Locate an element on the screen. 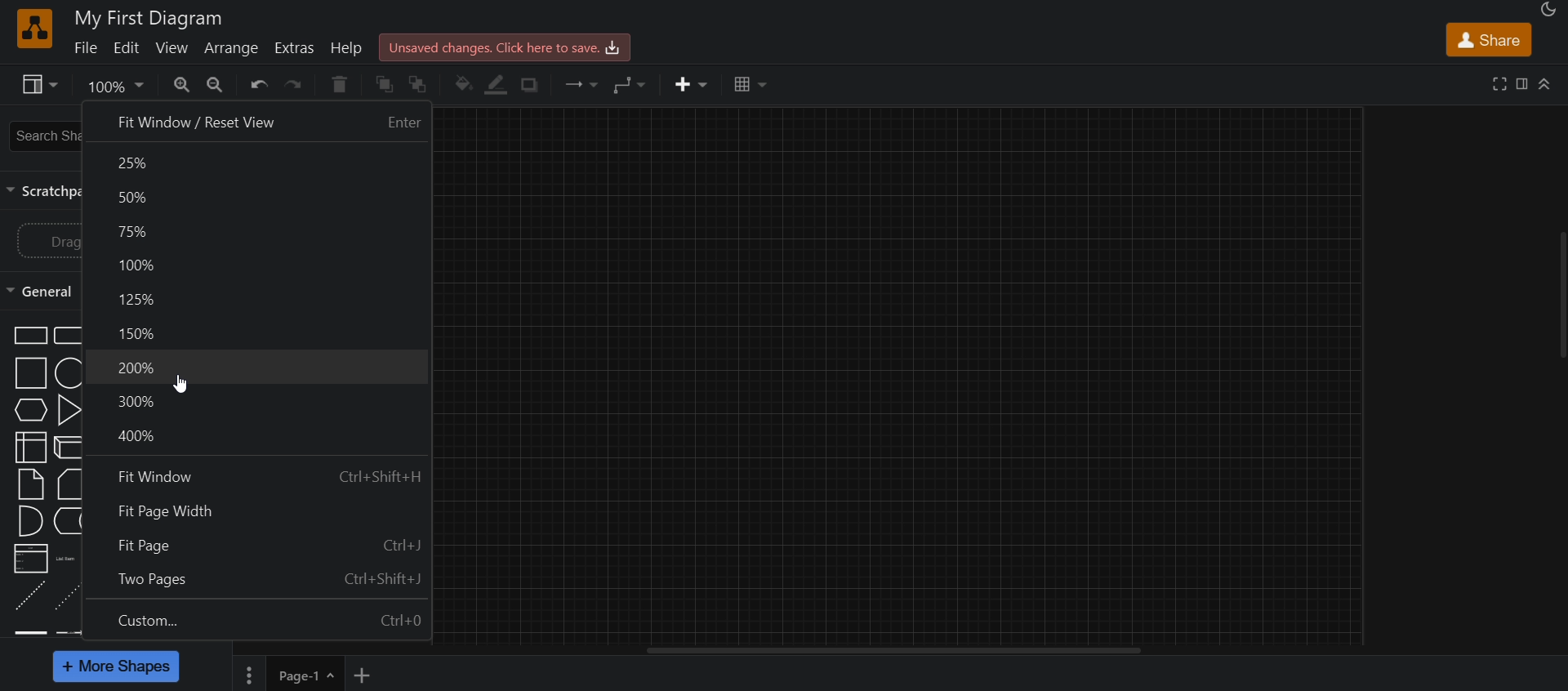  25% is located at coordinates (258, 161).